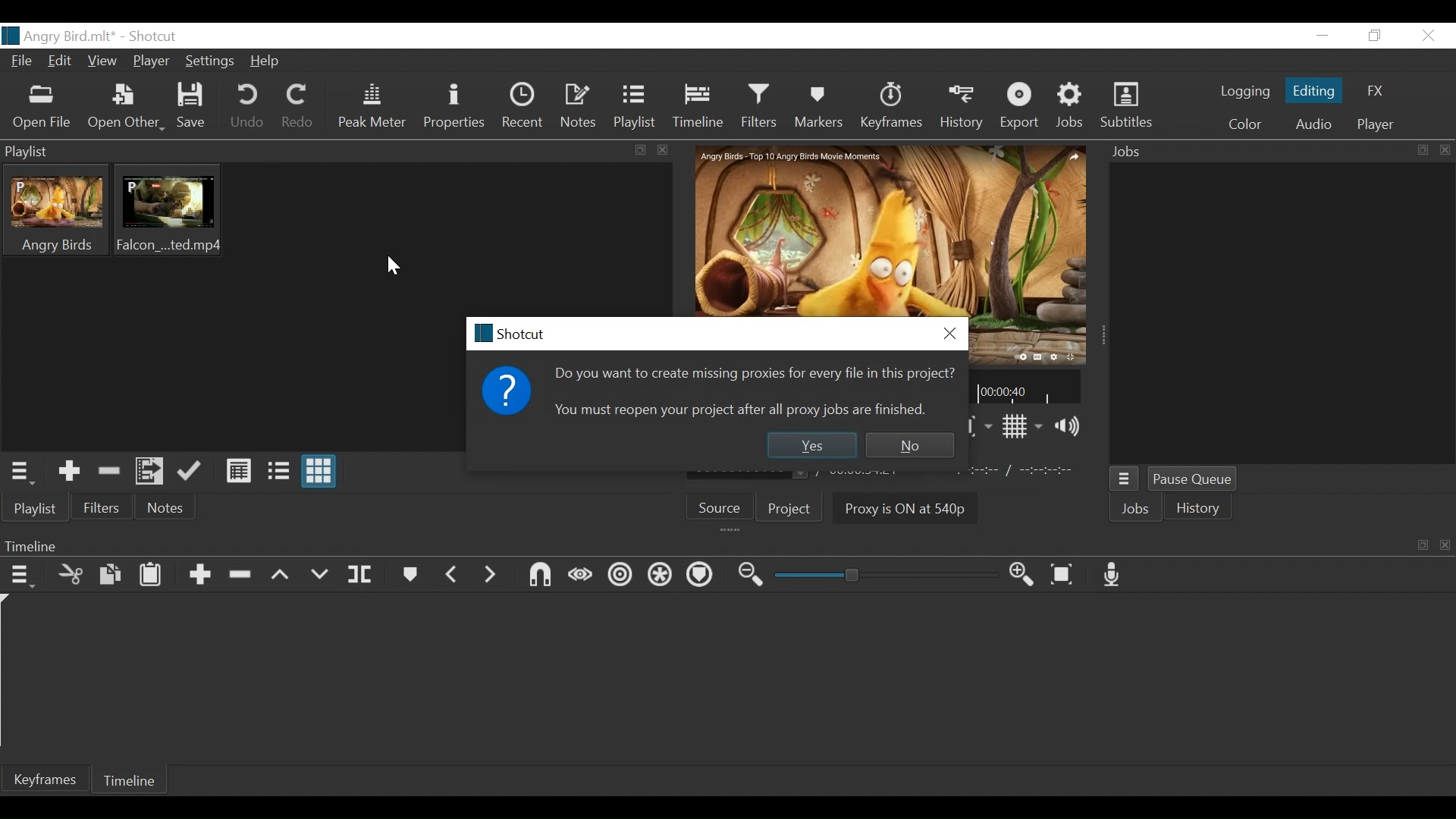 The height and width of the screenshot is (819, 1456). Describe the element at coordinates (1072, 106) in the screenshot. I see `Jobs` at that location.